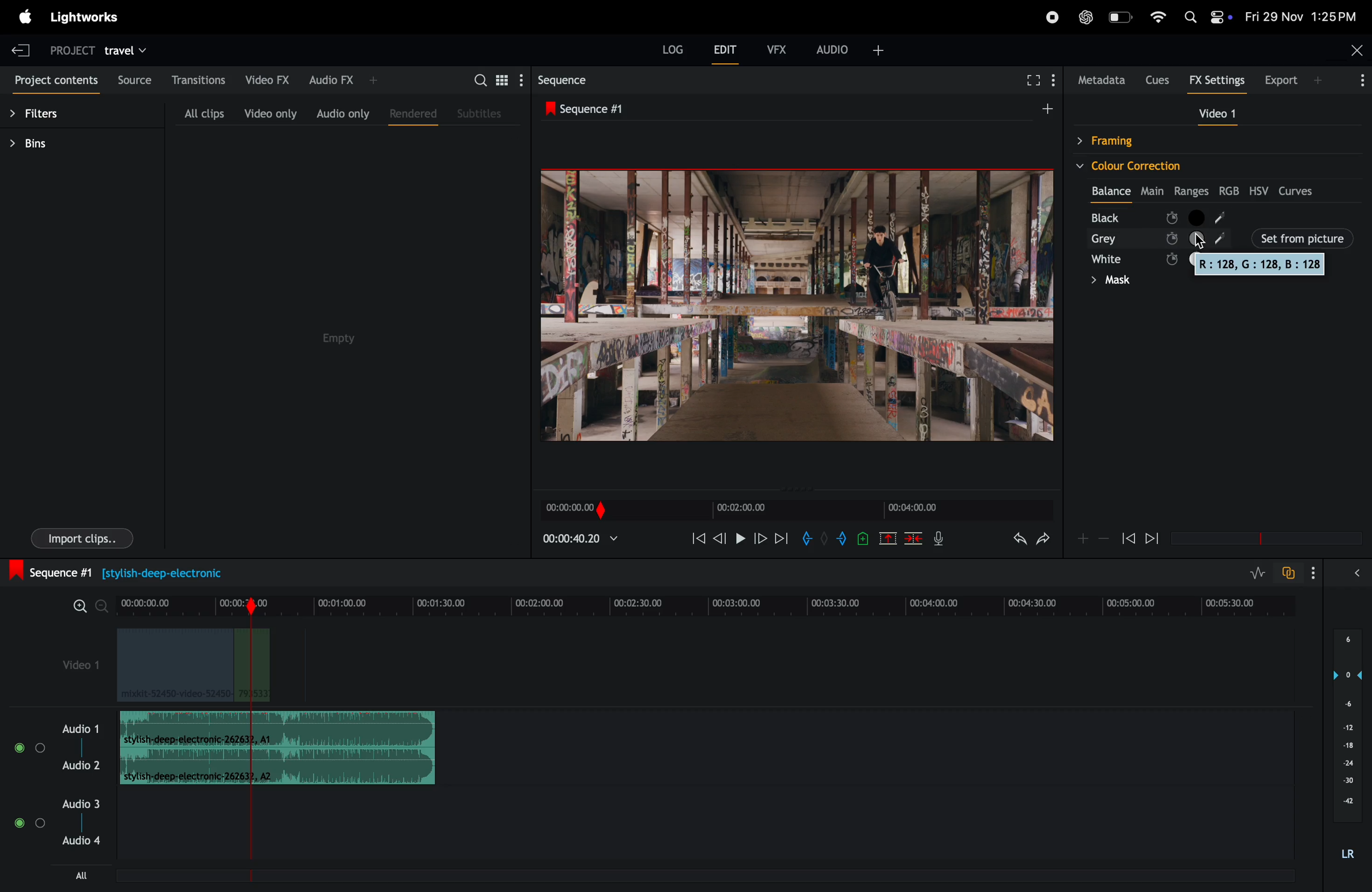 The height and width of the screenshot is (892, 1372). I want to click on project contents, so click(55, 82).